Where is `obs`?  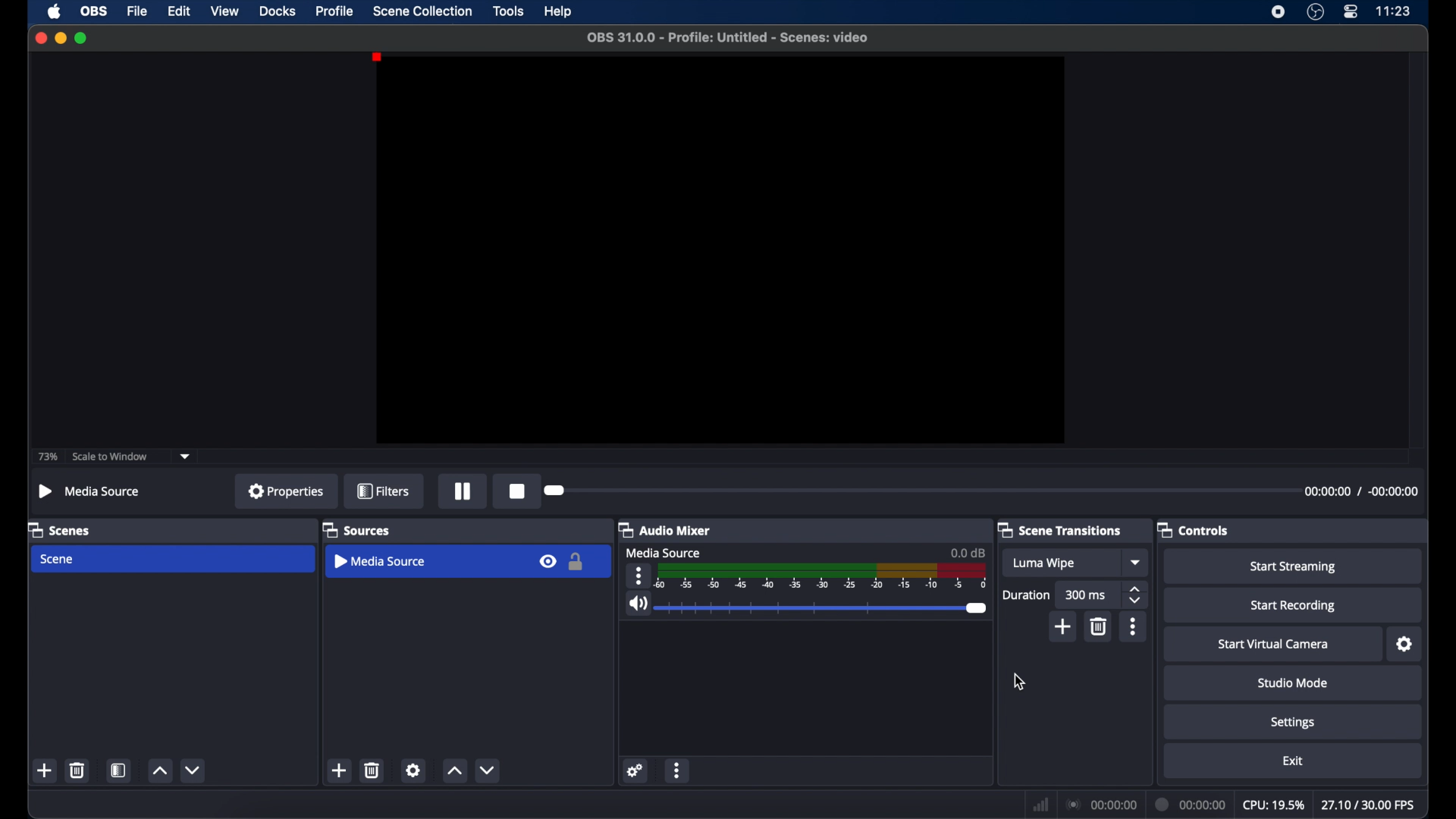
obs is located at coordinates (96, 11).